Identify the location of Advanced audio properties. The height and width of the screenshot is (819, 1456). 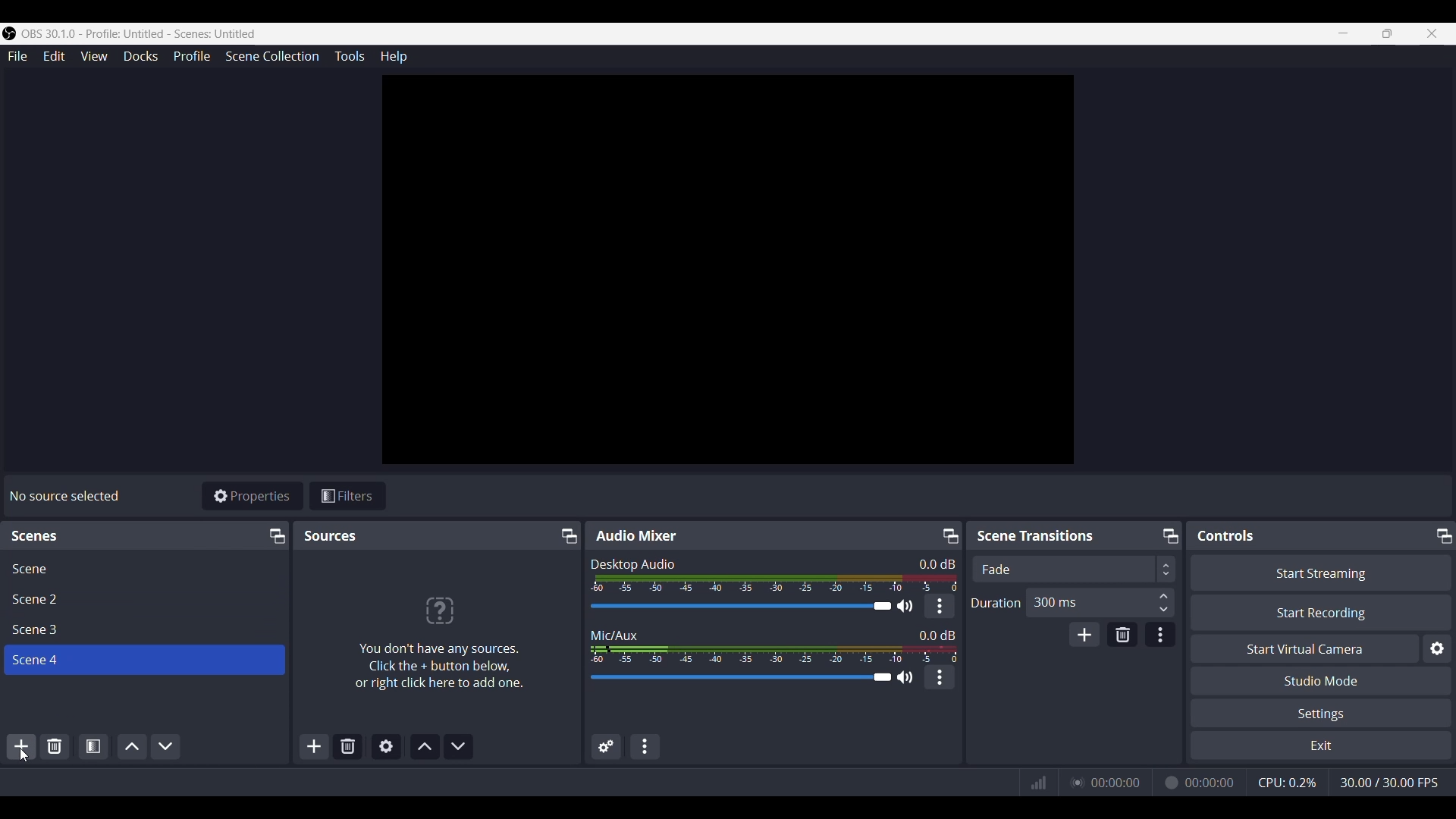
(607, 745).